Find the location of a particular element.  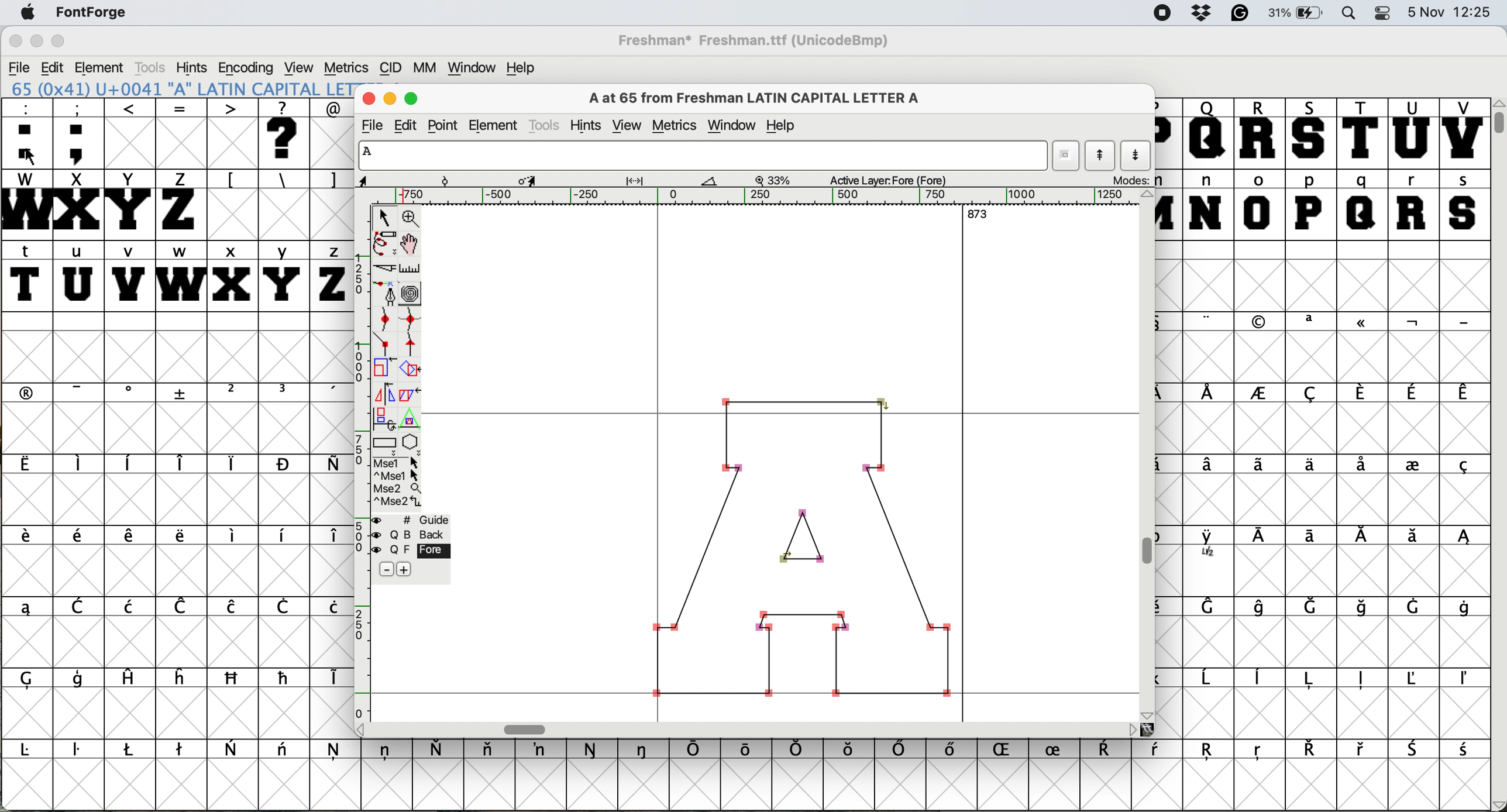

symbol is located at coordinates (851, 751).